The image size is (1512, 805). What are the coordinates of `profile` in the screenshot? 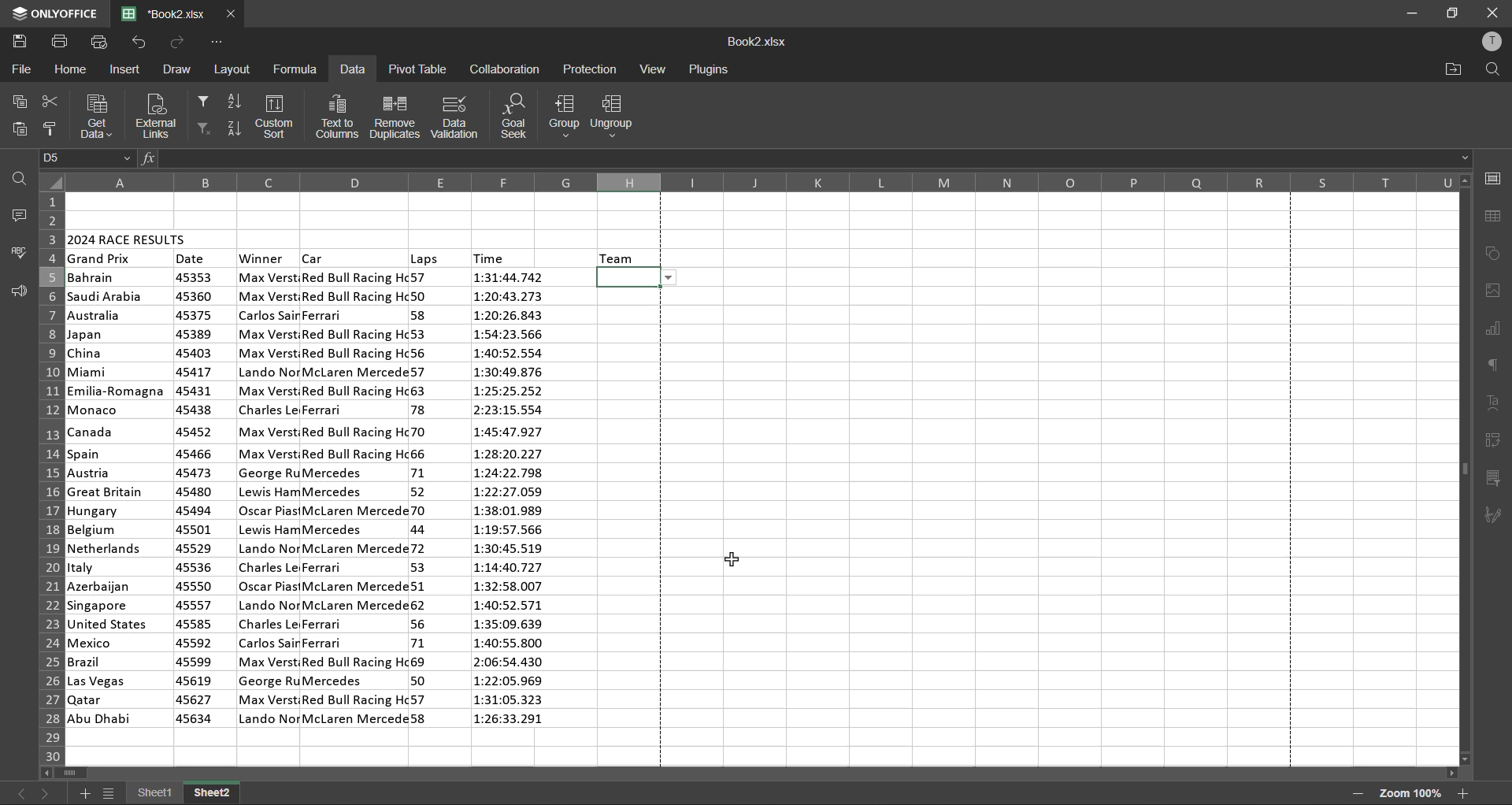 It's located at (1491, 44).